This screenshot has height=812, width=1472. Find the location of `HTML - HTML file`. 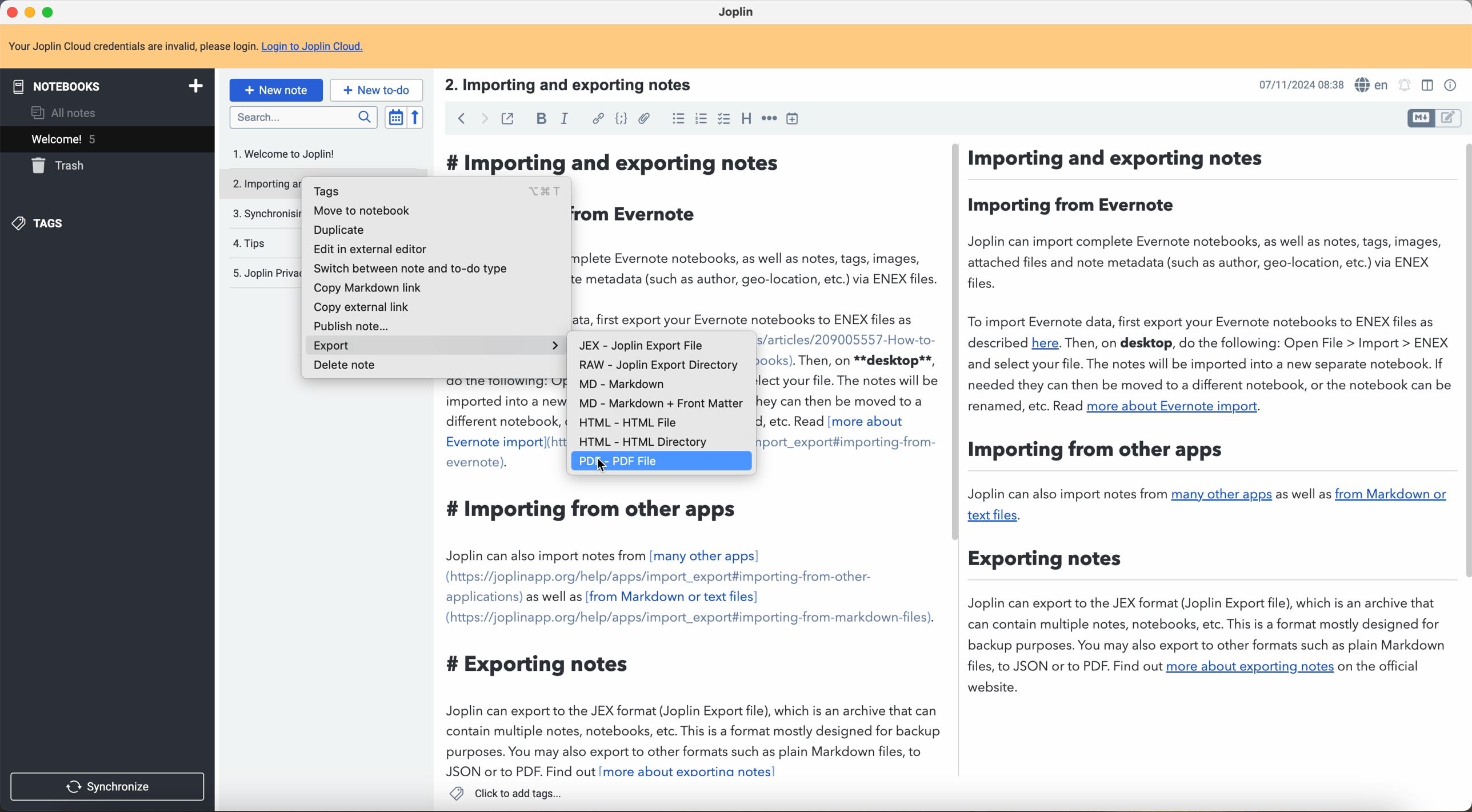

HTML - HTML file is located at coordinates (625, 424).